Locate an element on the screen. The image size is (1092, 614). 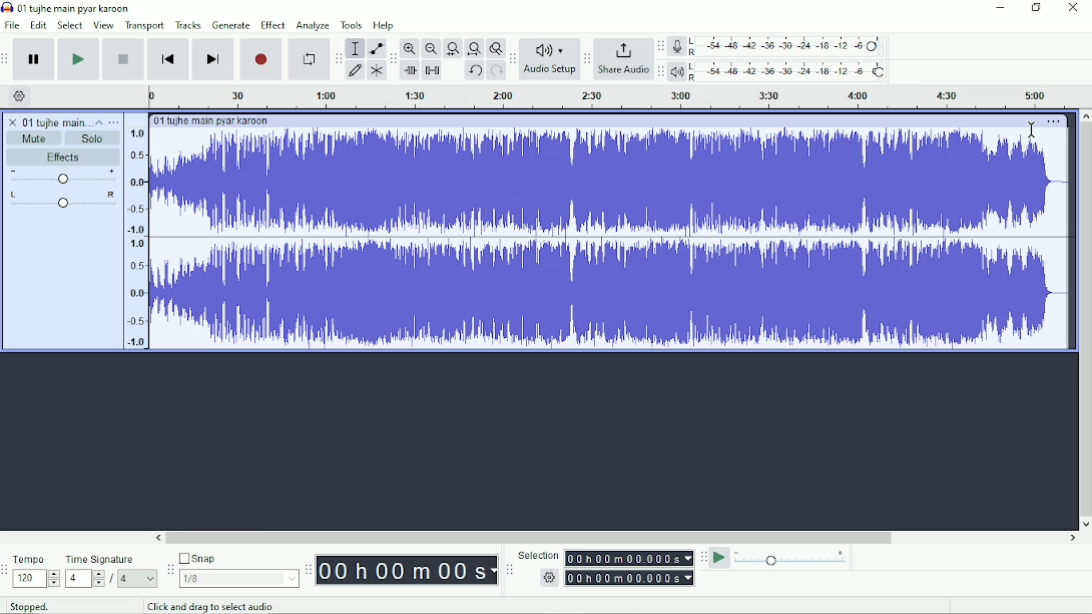
Playback meter is located at coordinates (778, 71).